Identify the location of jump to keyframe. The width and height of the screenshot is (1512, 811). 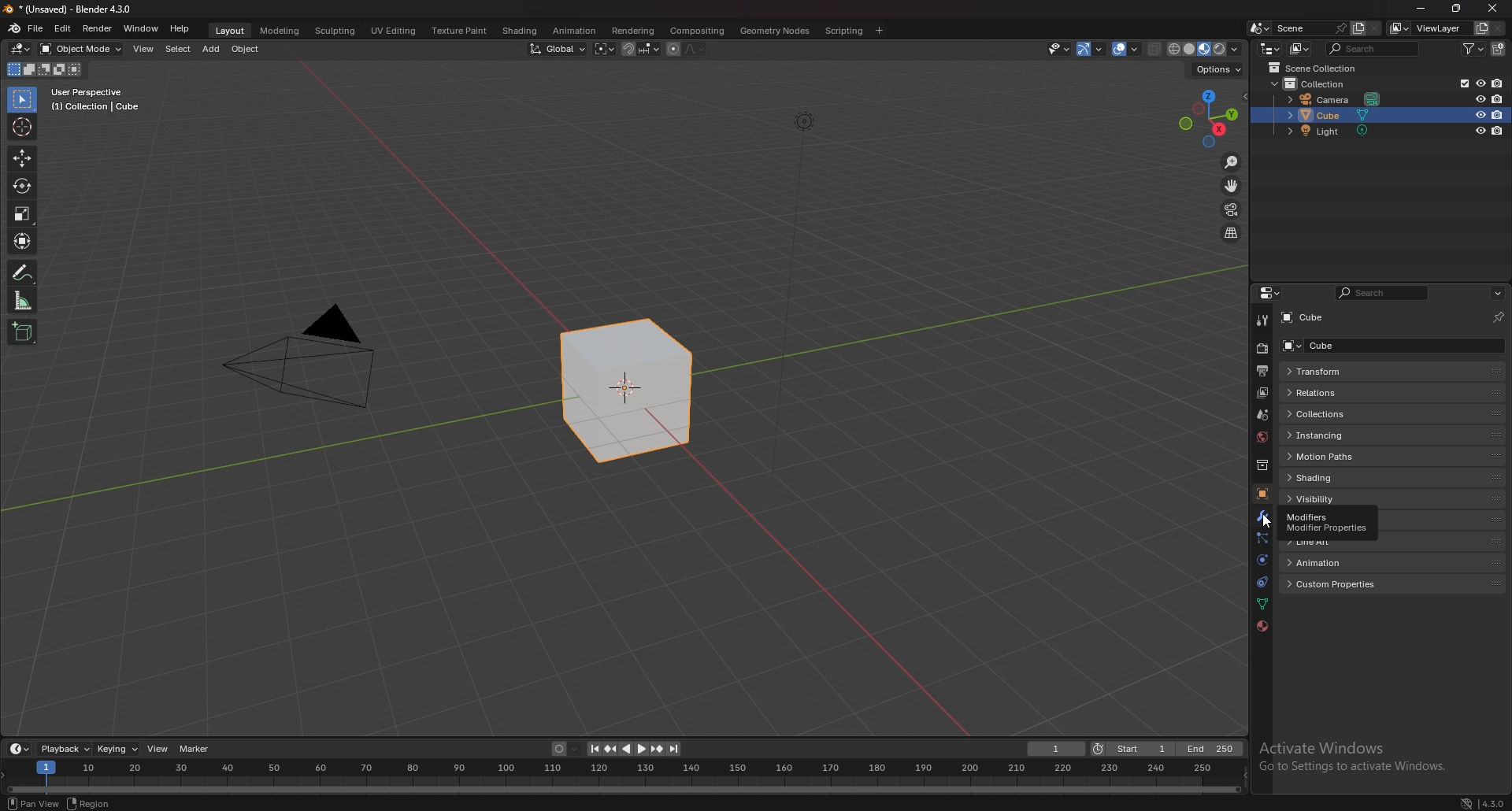
(610, 749).